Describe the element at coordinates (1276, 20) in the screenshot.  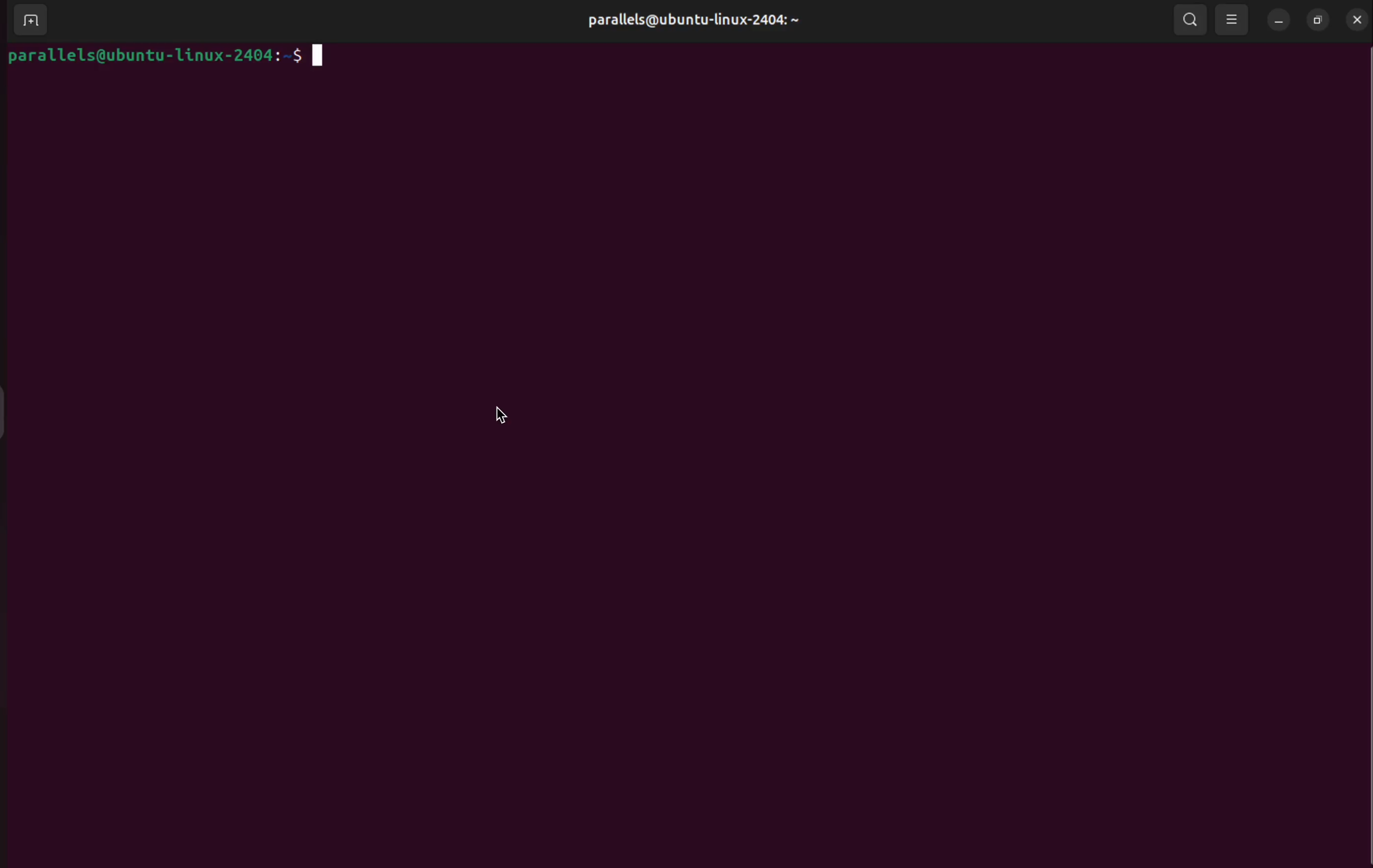
I see `minimize` at that location.